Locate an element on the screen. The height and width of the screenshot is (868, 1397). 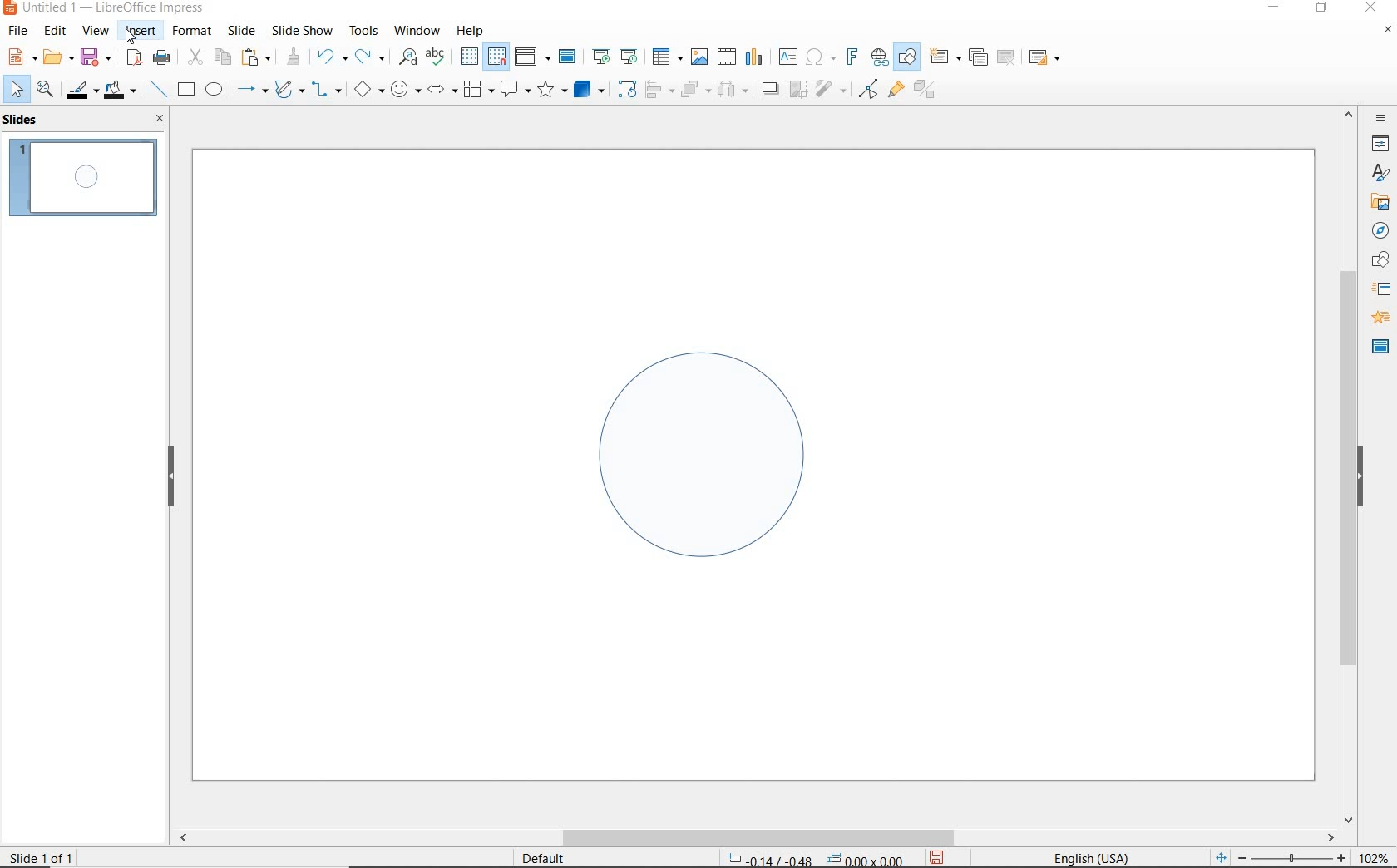
print is located at coordinates (161, 56).